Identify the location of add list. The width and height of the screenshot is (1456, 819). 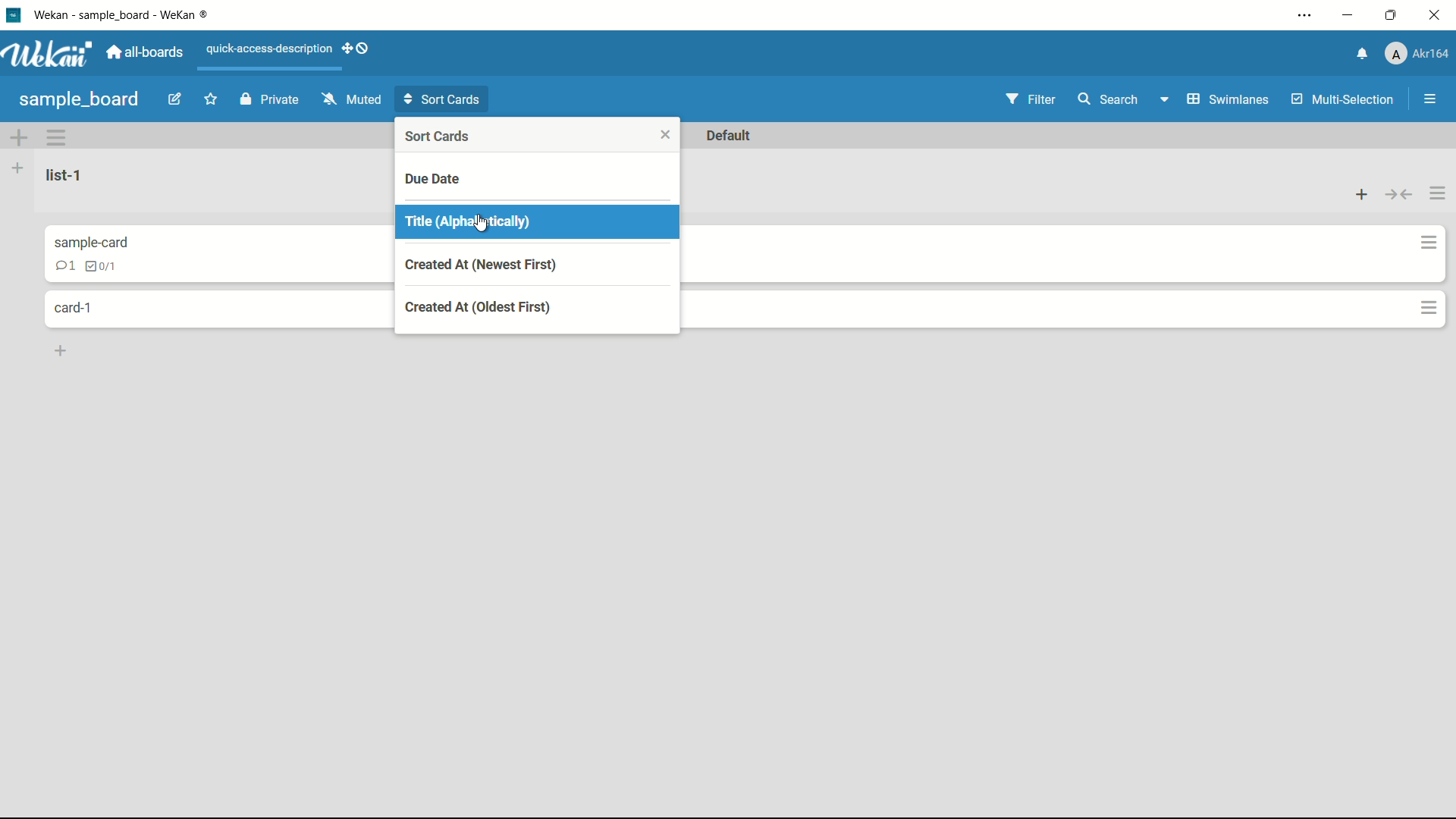
(20, 168).